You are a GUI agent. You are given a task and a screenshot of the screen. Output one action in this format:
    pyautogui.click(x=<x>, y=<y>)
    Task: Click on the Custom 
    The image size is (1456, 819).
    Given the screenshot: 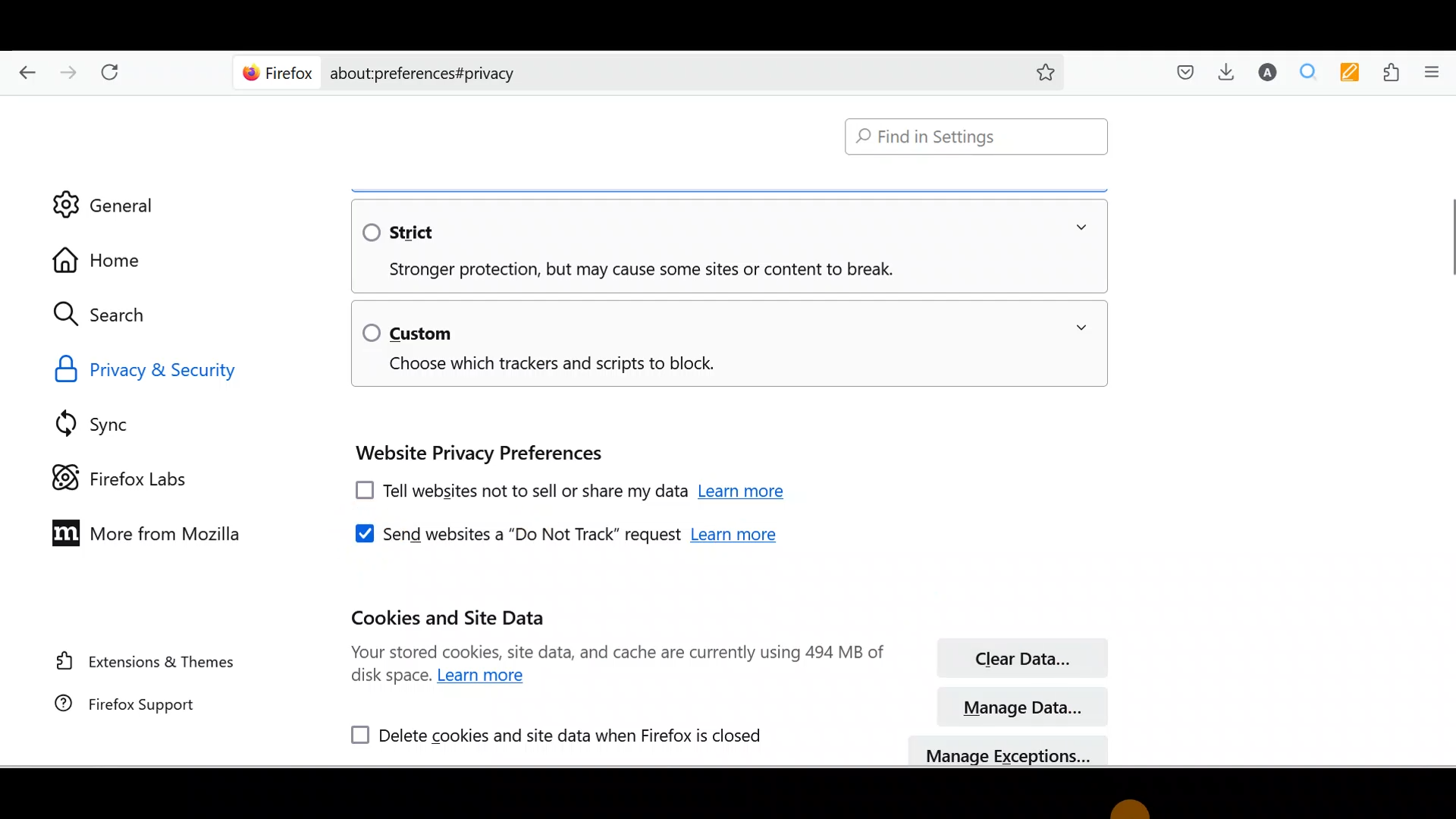 What is the action you would take?
    pyautogui.click(x=408, y=331)
    